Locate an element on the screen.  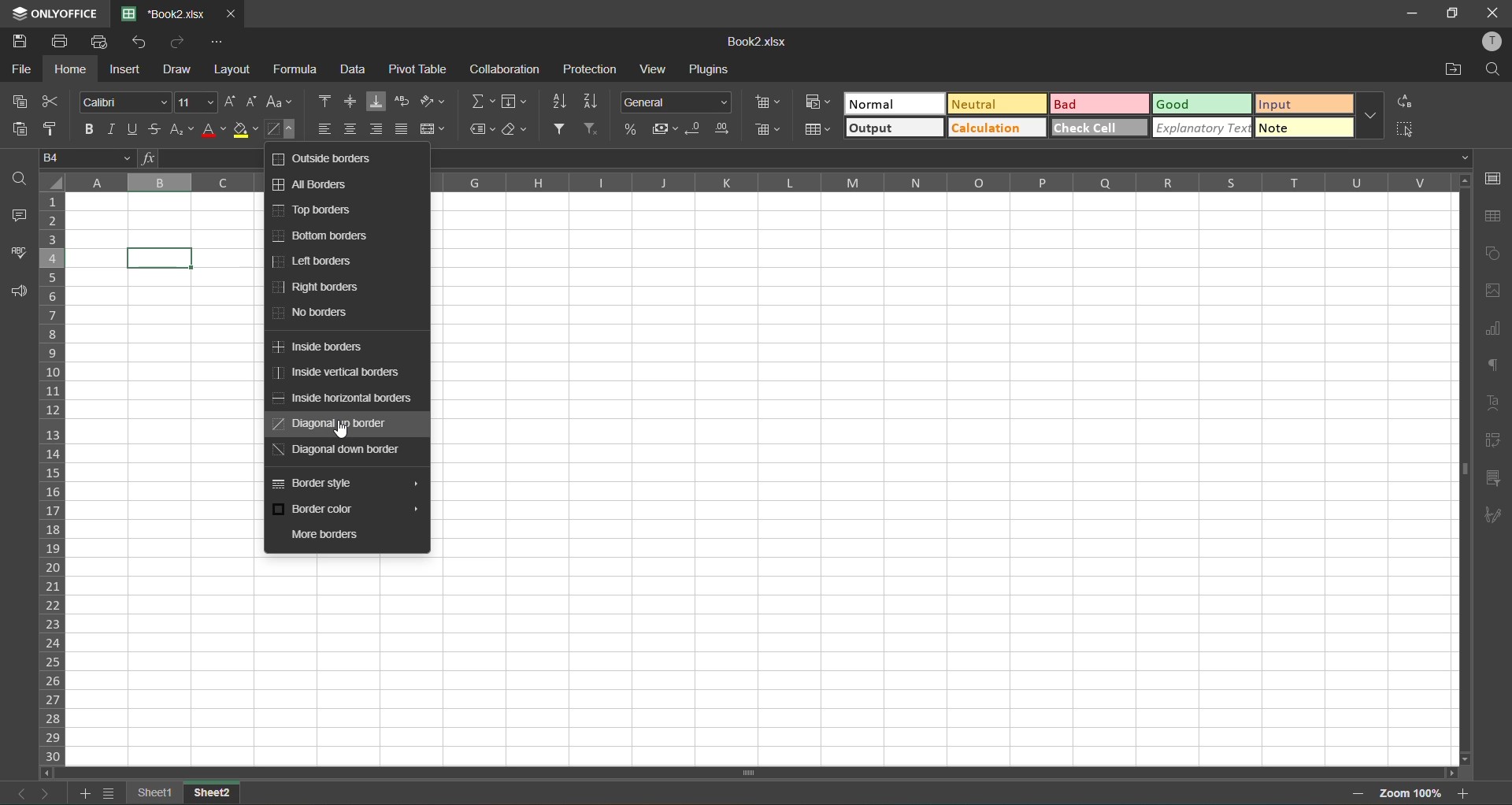
merge and center is located at coordinates (432, 129).